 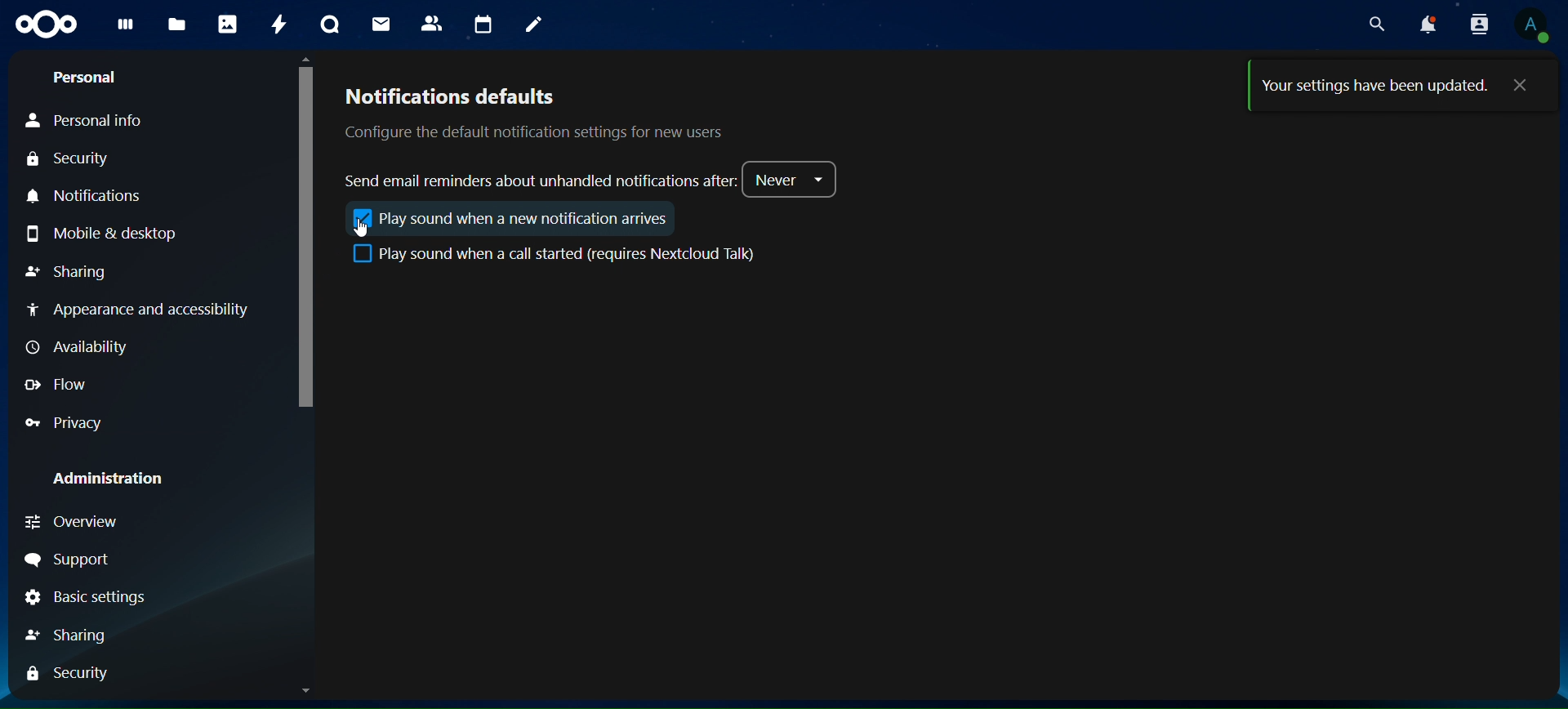 I want to click on Mobile & desktop, so click(x=102, y=235).